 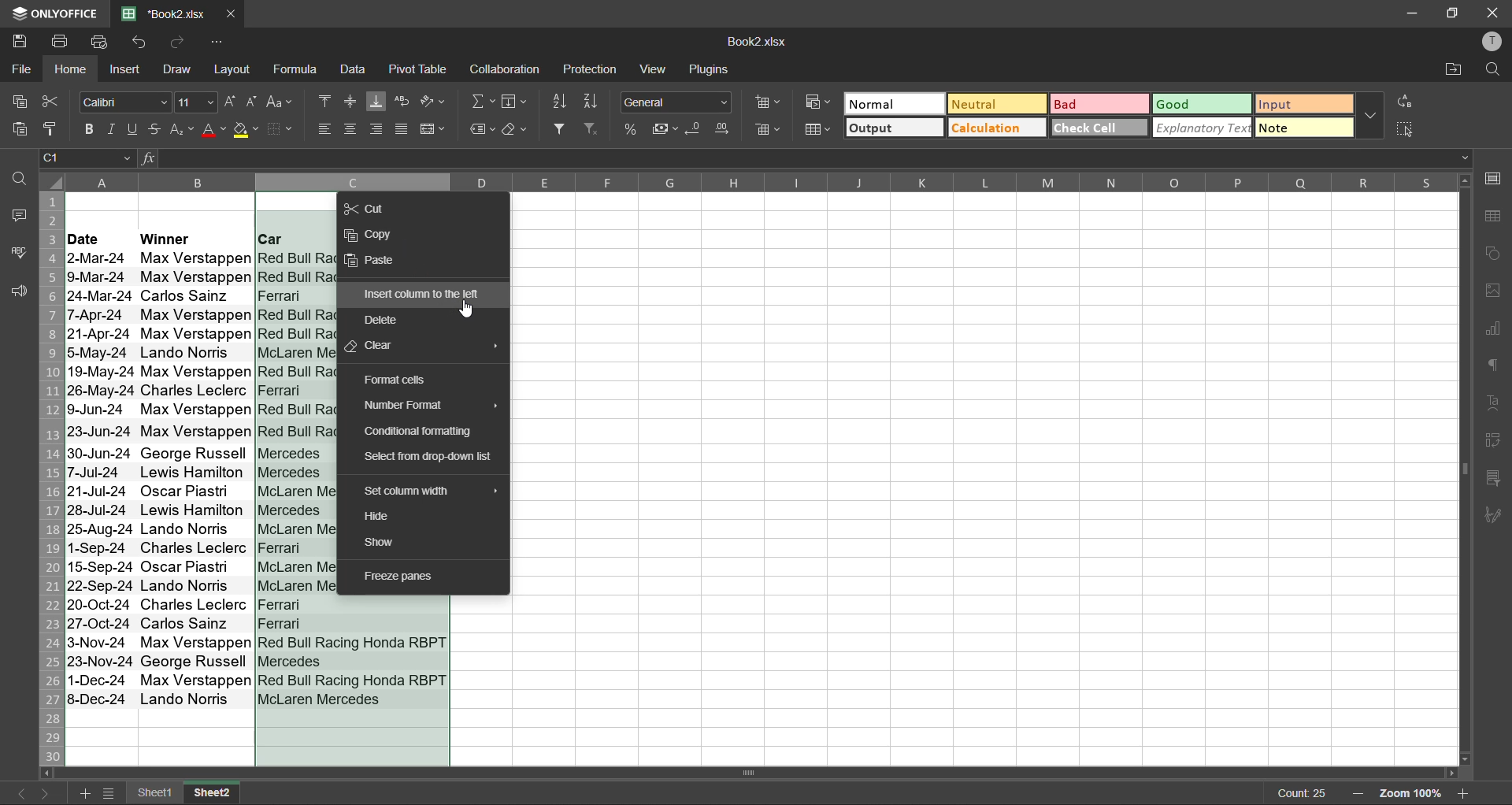 What do you see at coordinates (196, 102) in the screenshot?
I see `font size` at bounding box center [196, 102].